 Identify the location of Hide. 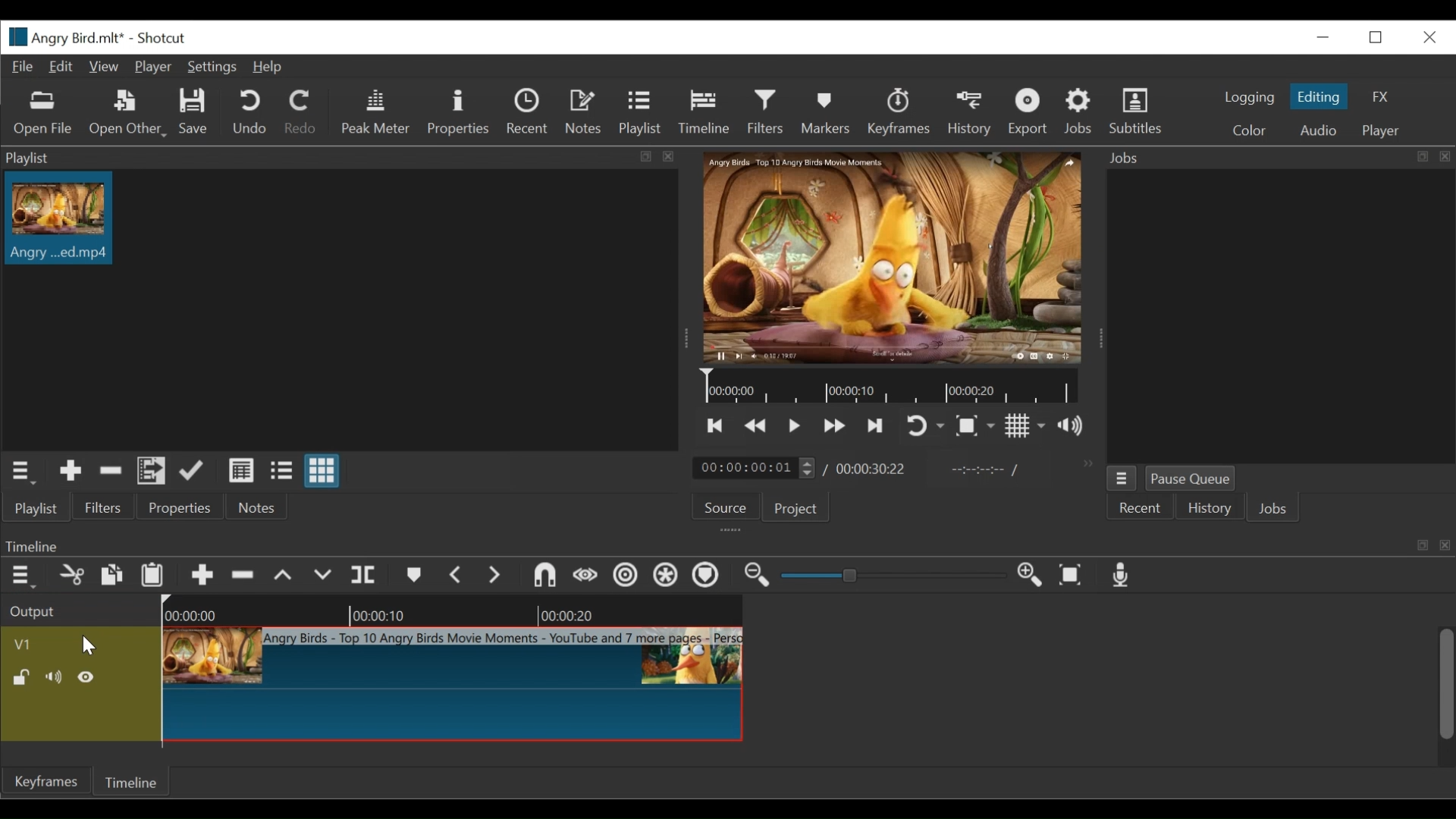
(54, 678).